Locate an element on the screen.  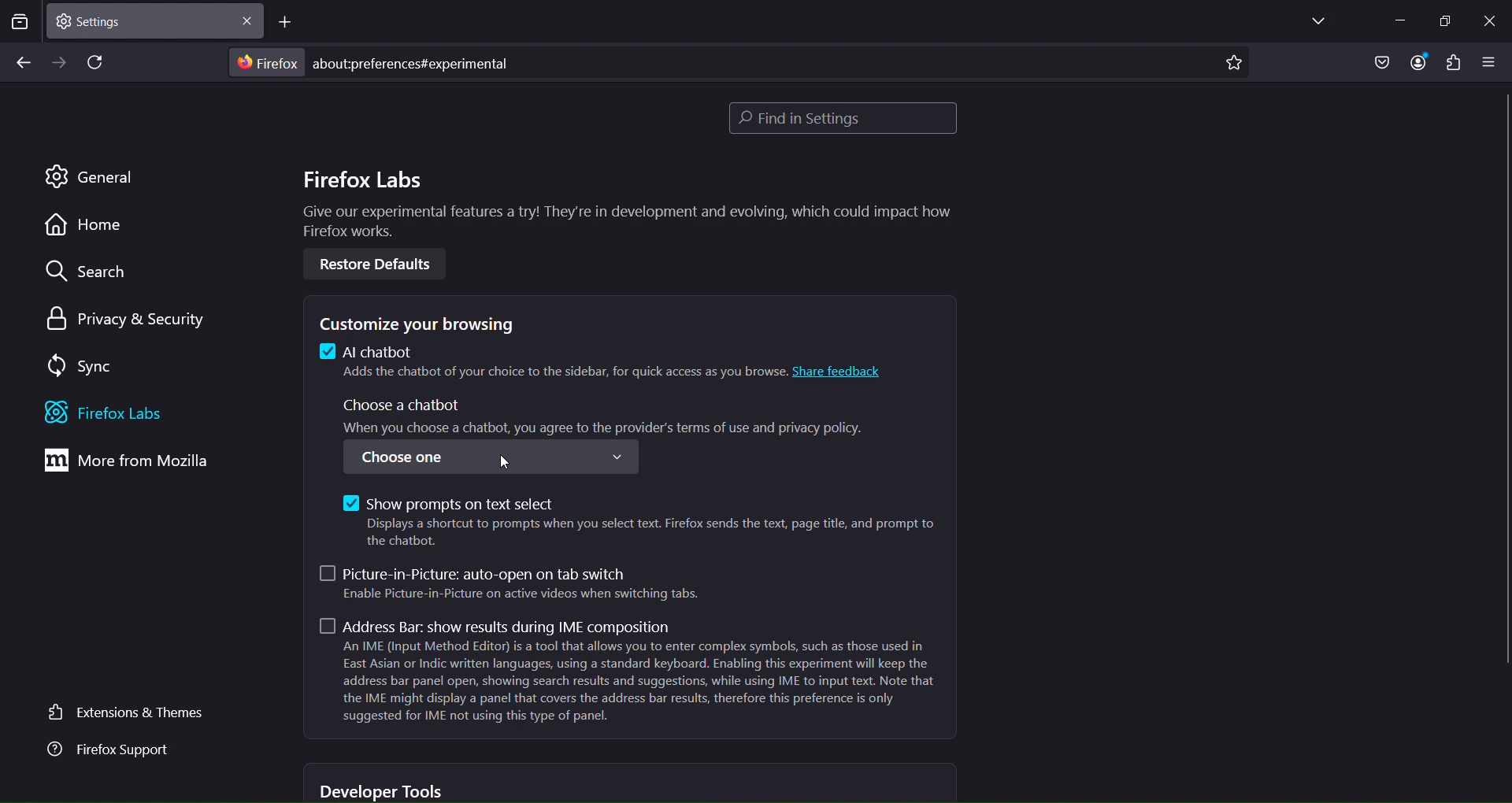
search is located at coordinates (86, 274).